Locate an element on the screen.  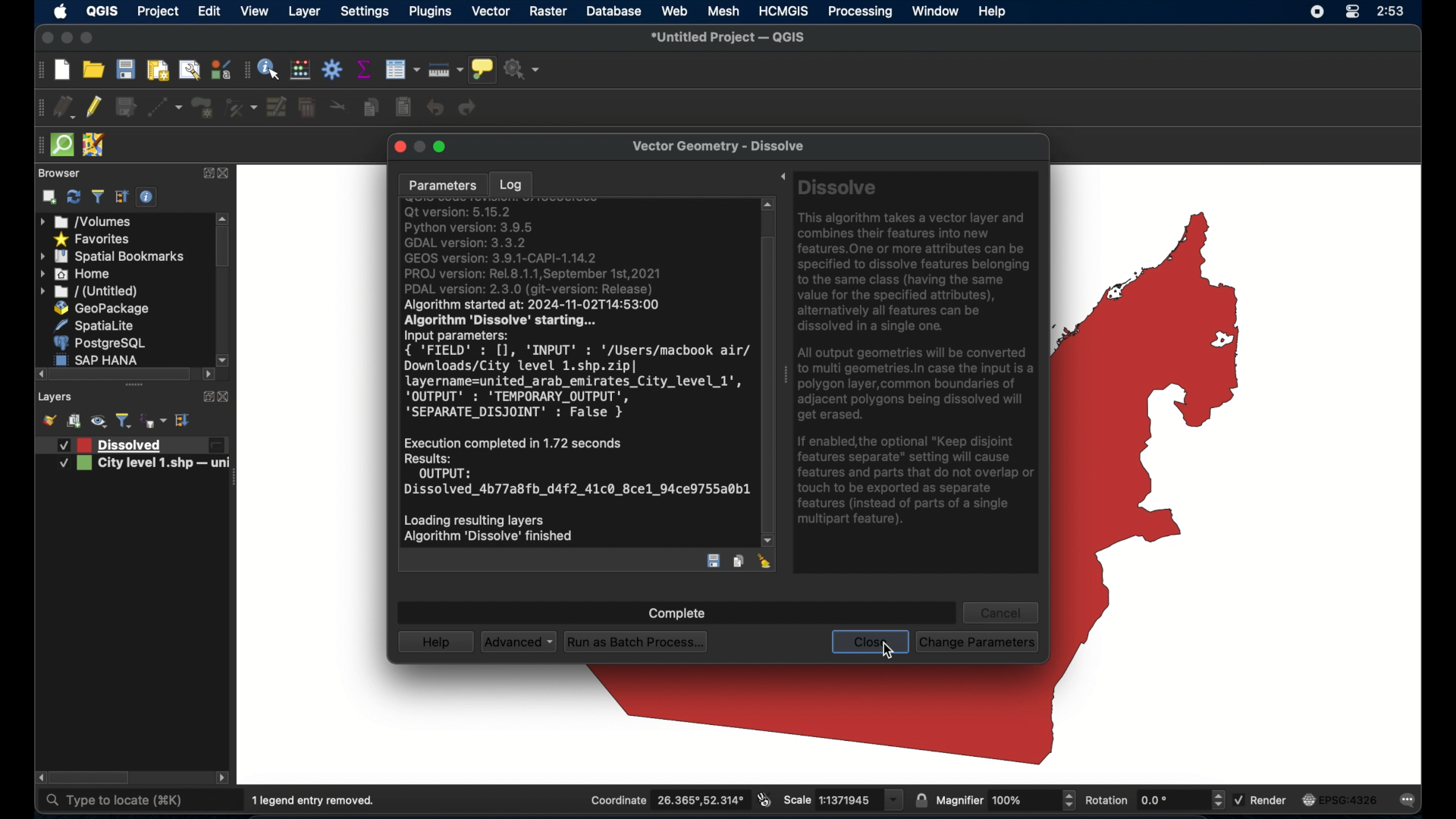
clear log entry is located at coordinates (765, 561).